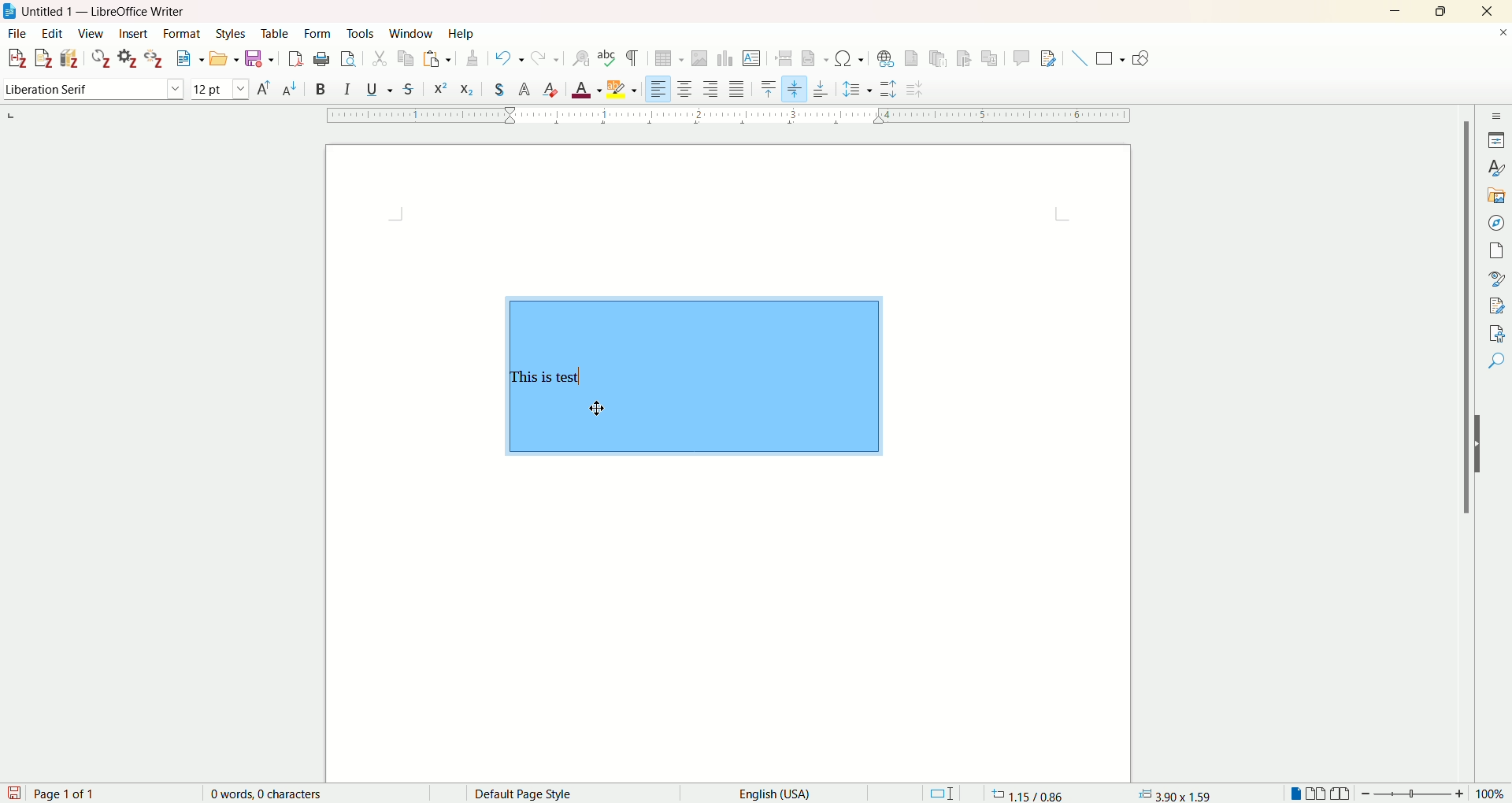  Describe the element at coordinates (163, 90) in the screenshot. I see `after` at that location.